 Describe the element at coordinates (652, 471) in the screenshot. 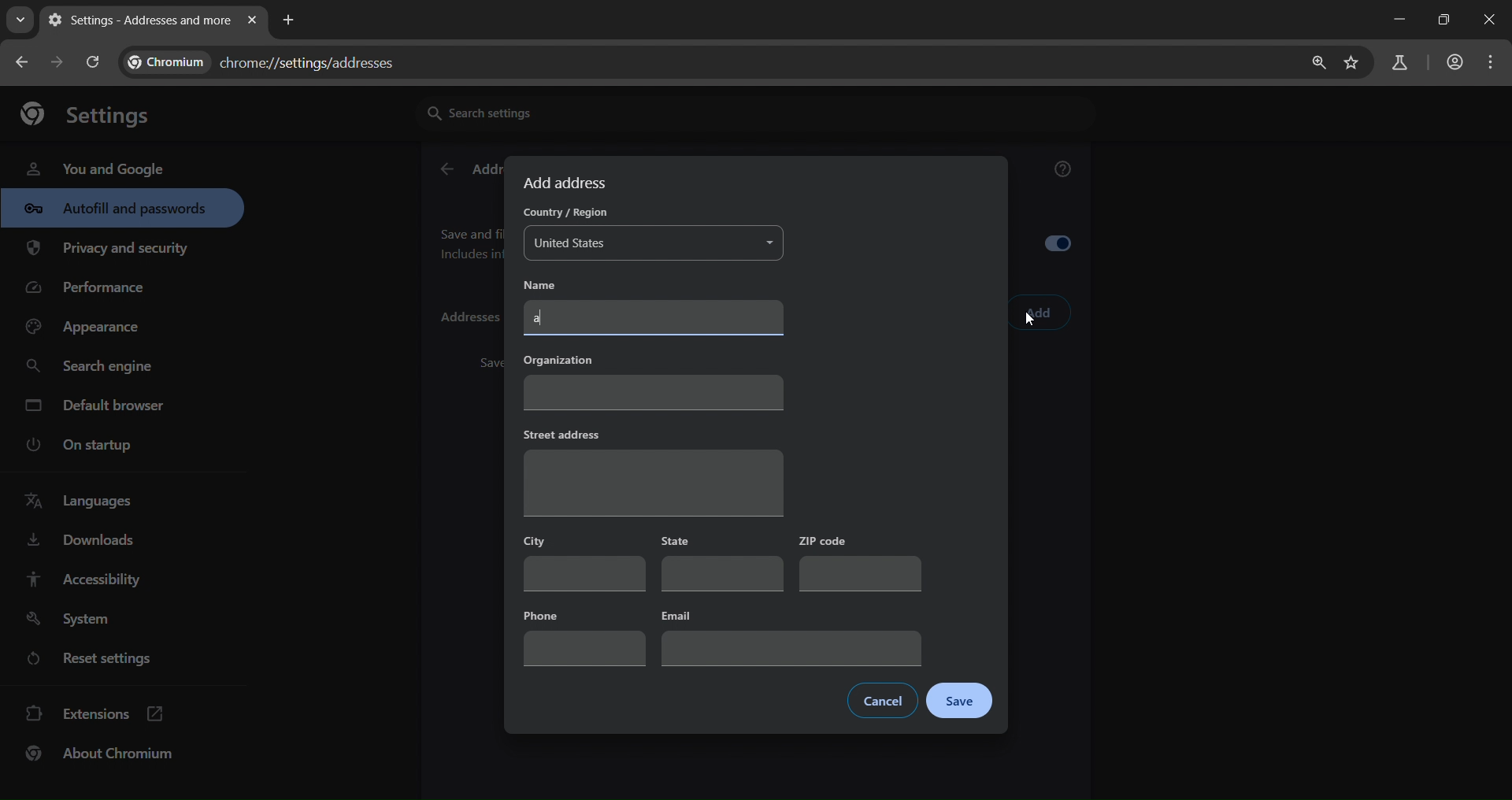

I see `street address` at that location.